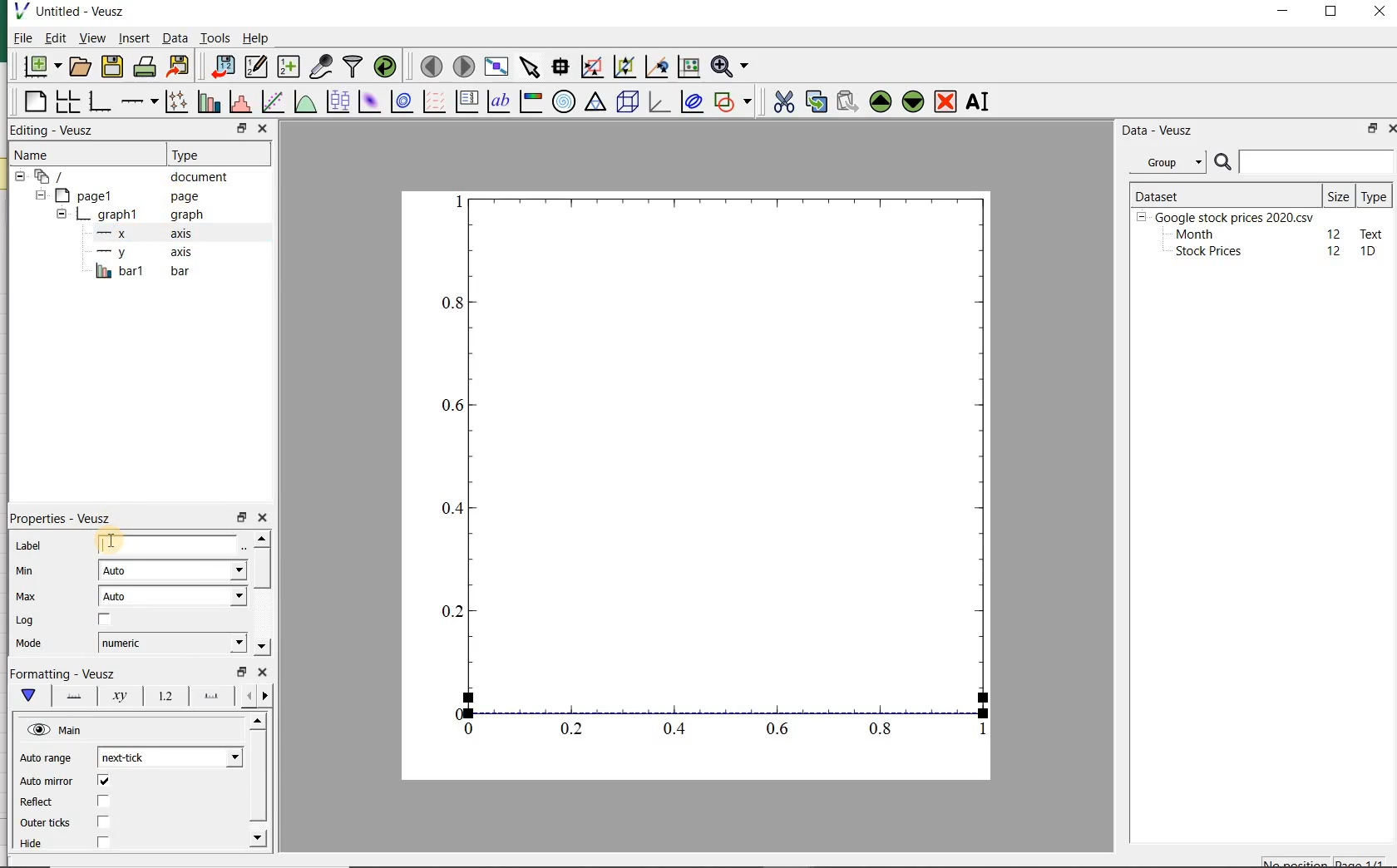 The height and width of the screenshot is (868, 1397). What do you see at coordinates (1370, 130) in the screenshot?
I see `restore` at bounding box center [1370, 130].